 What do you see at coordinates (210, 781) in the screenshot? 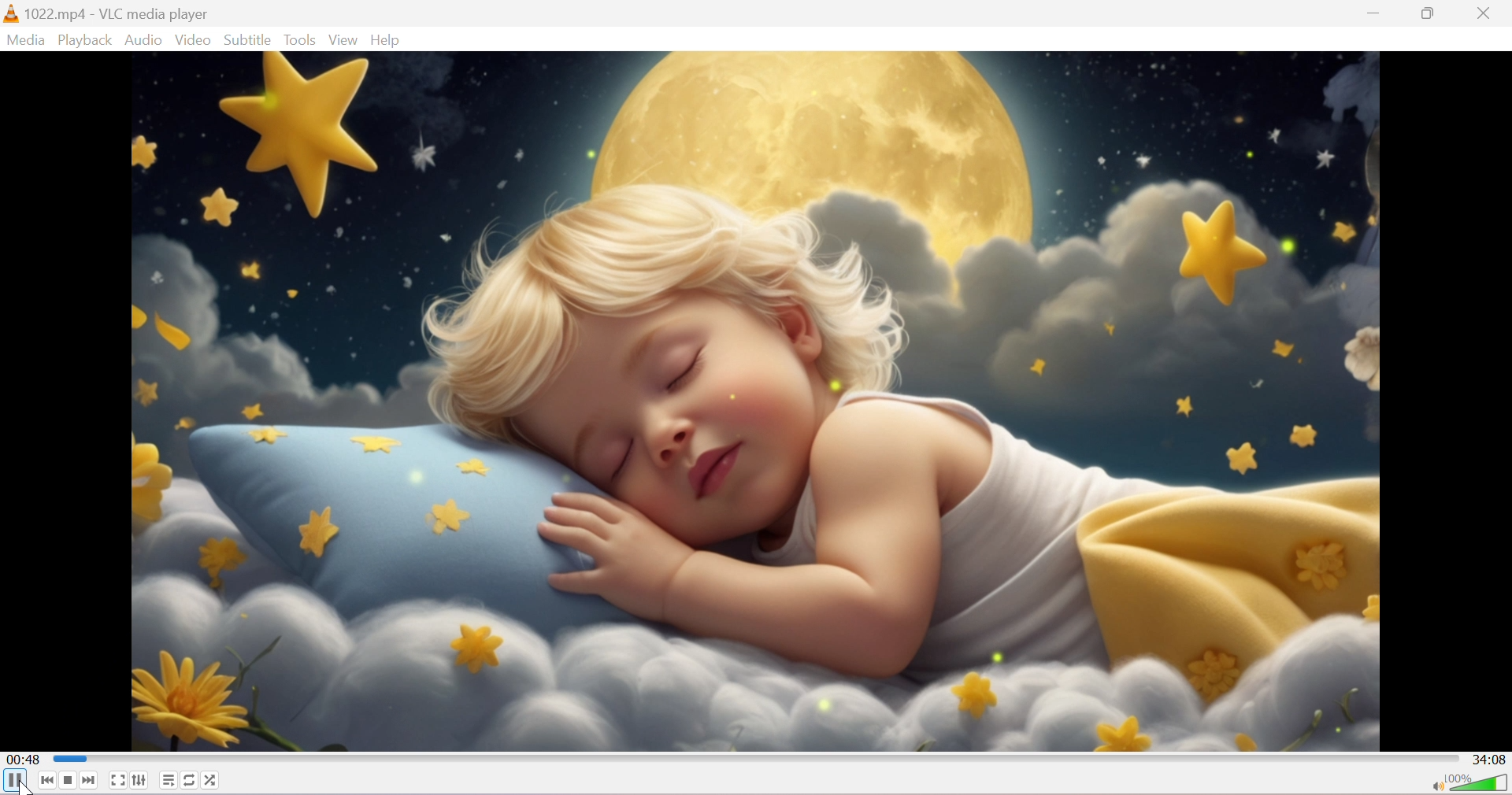
I see `Random` at bounding box center [210, 781].